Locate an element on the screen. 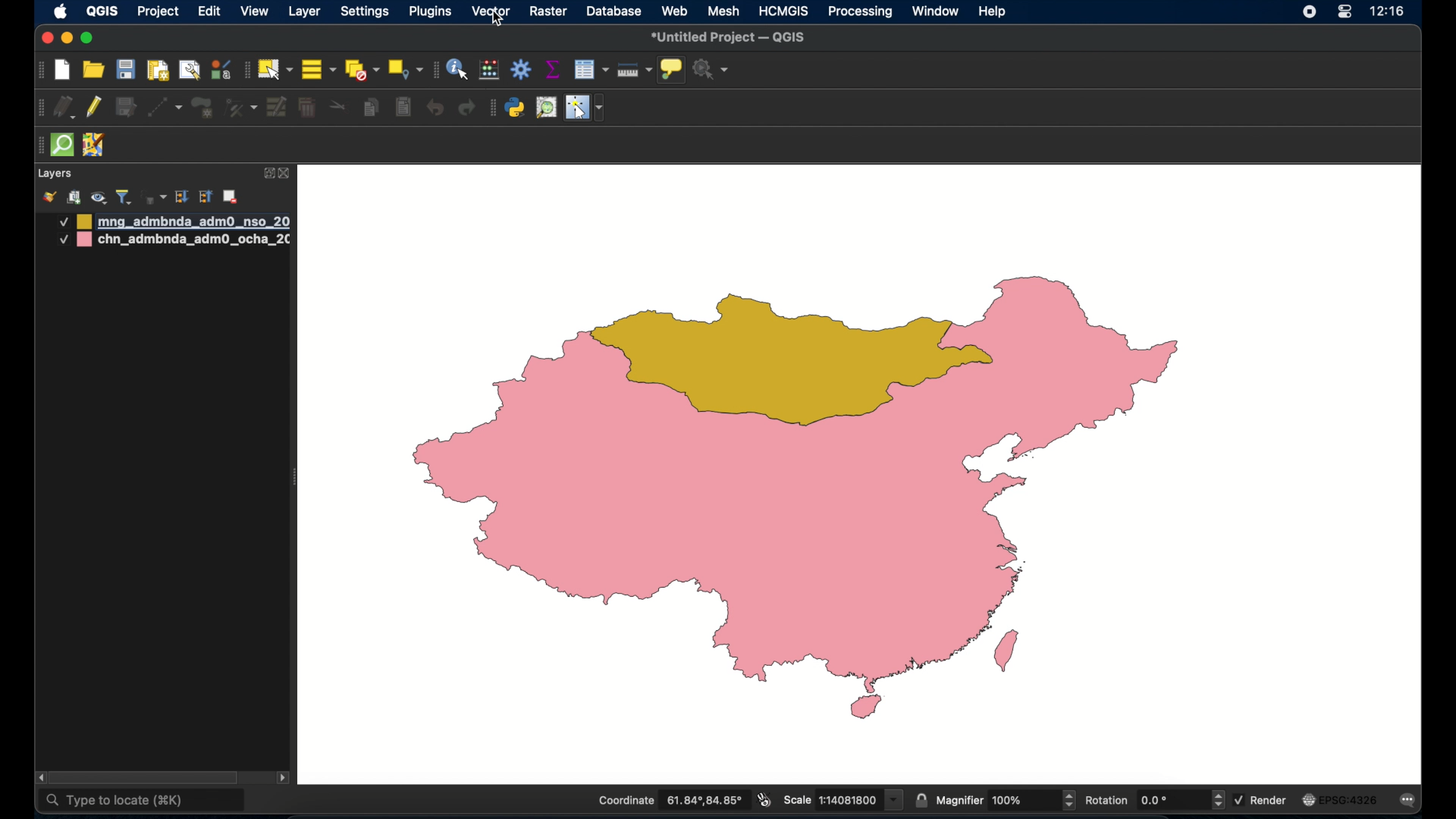 The width and height of the screenshot is (1456, 819). quick som is located at coordinates (61, 146).